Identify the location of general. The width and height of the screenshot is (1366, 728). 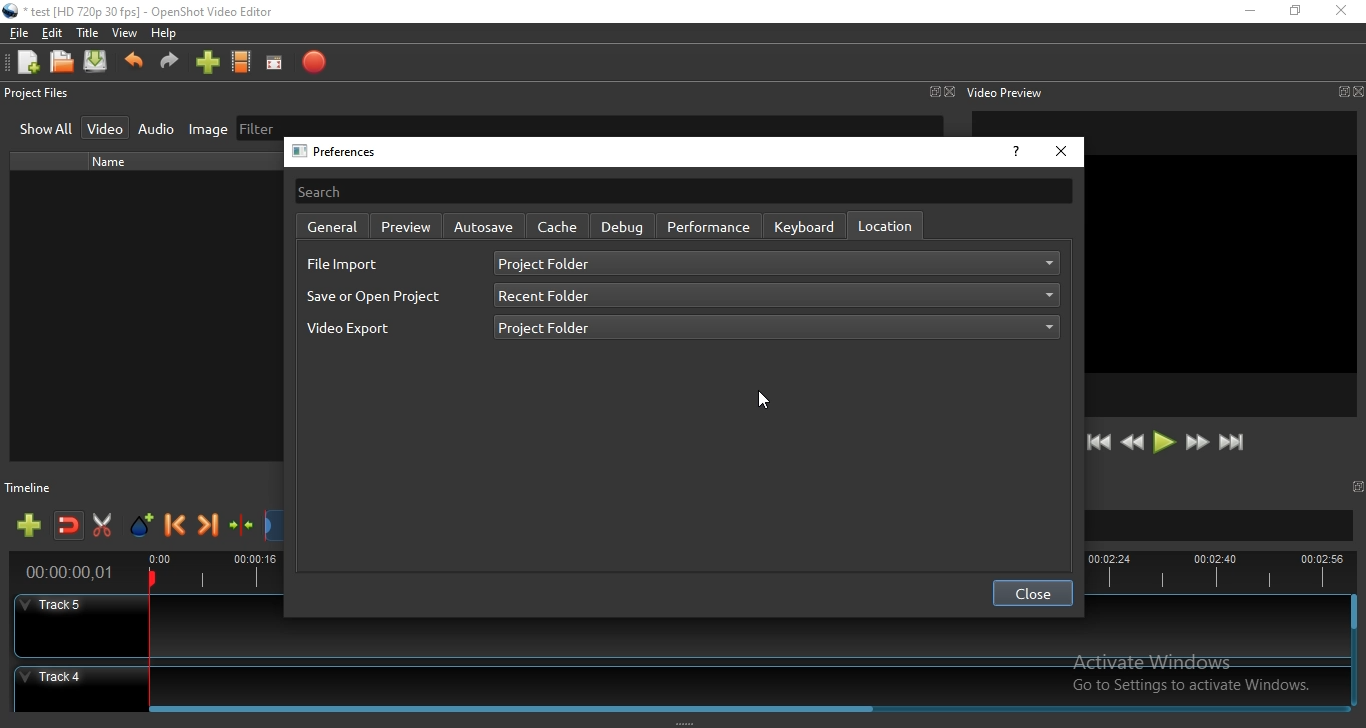
(329, 227).